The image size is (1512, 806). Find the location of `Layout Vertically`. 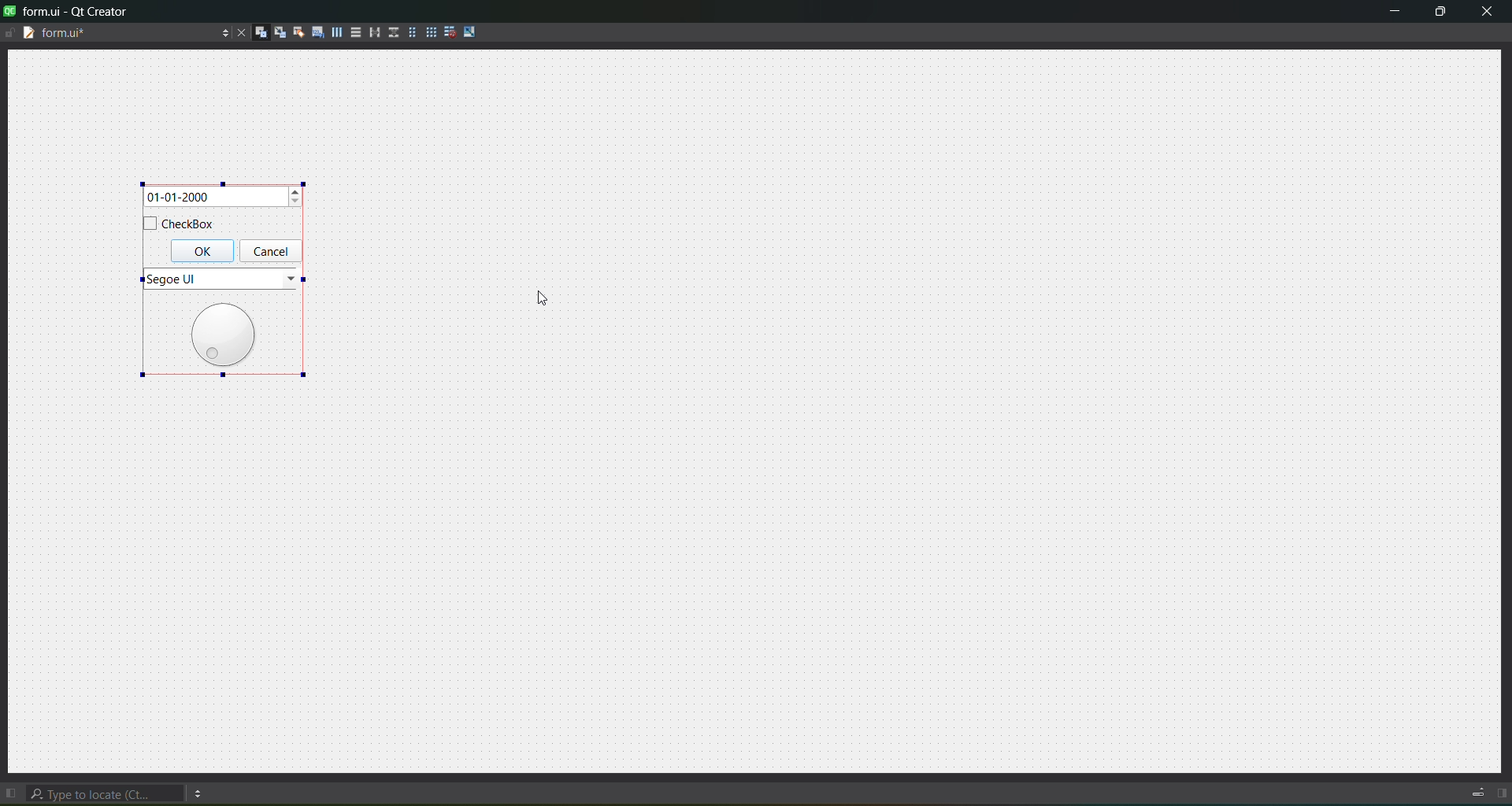

Layout Vertically is located at coordinates (354, 31).